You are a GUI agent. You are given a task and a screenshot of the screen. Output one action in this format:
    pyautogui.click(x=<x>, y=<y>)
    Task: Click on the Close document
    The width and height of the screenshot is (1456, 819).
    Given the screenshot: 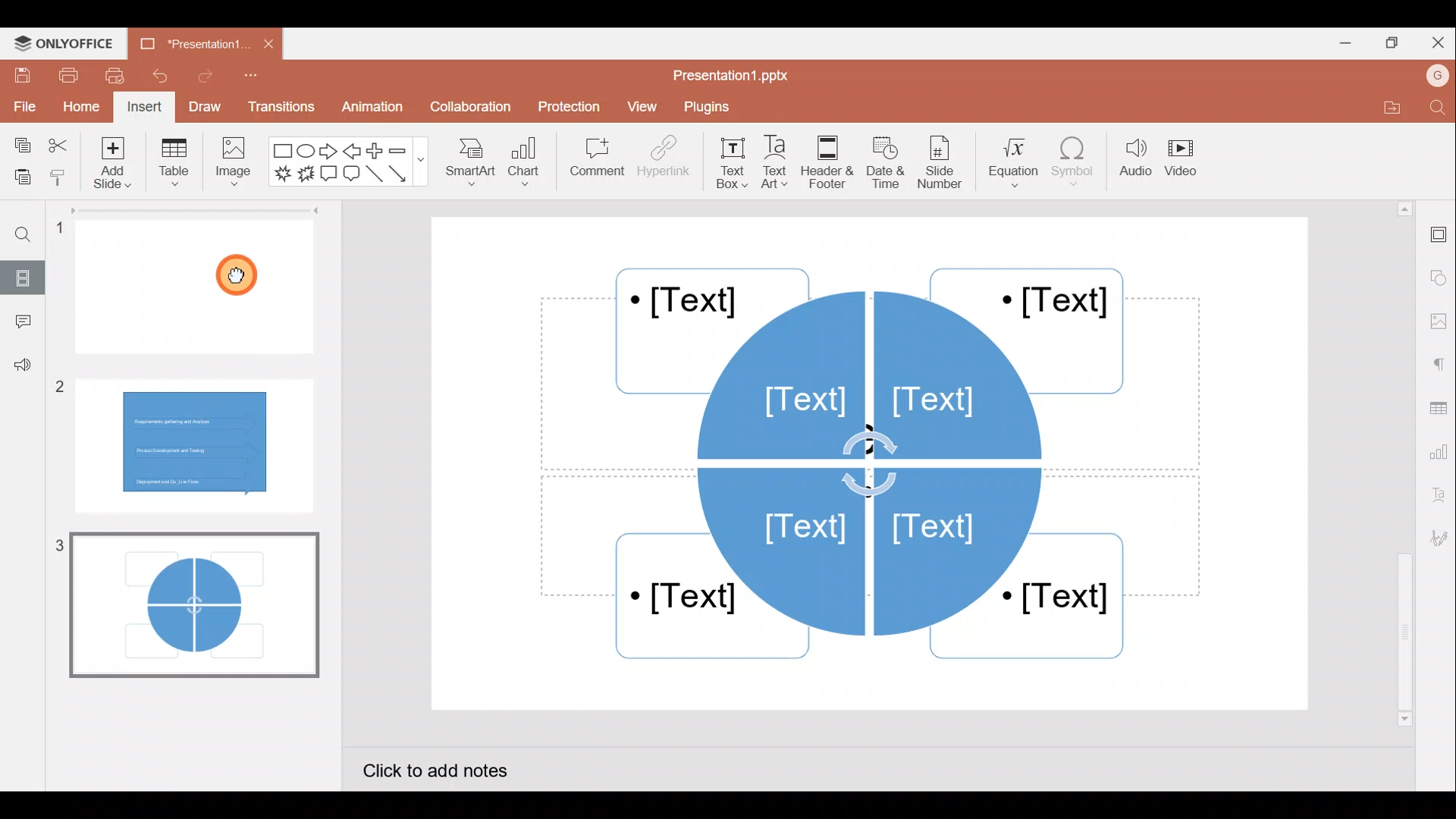 What is the action you would take?
    pyautogui.click(x=262, y=42)
    